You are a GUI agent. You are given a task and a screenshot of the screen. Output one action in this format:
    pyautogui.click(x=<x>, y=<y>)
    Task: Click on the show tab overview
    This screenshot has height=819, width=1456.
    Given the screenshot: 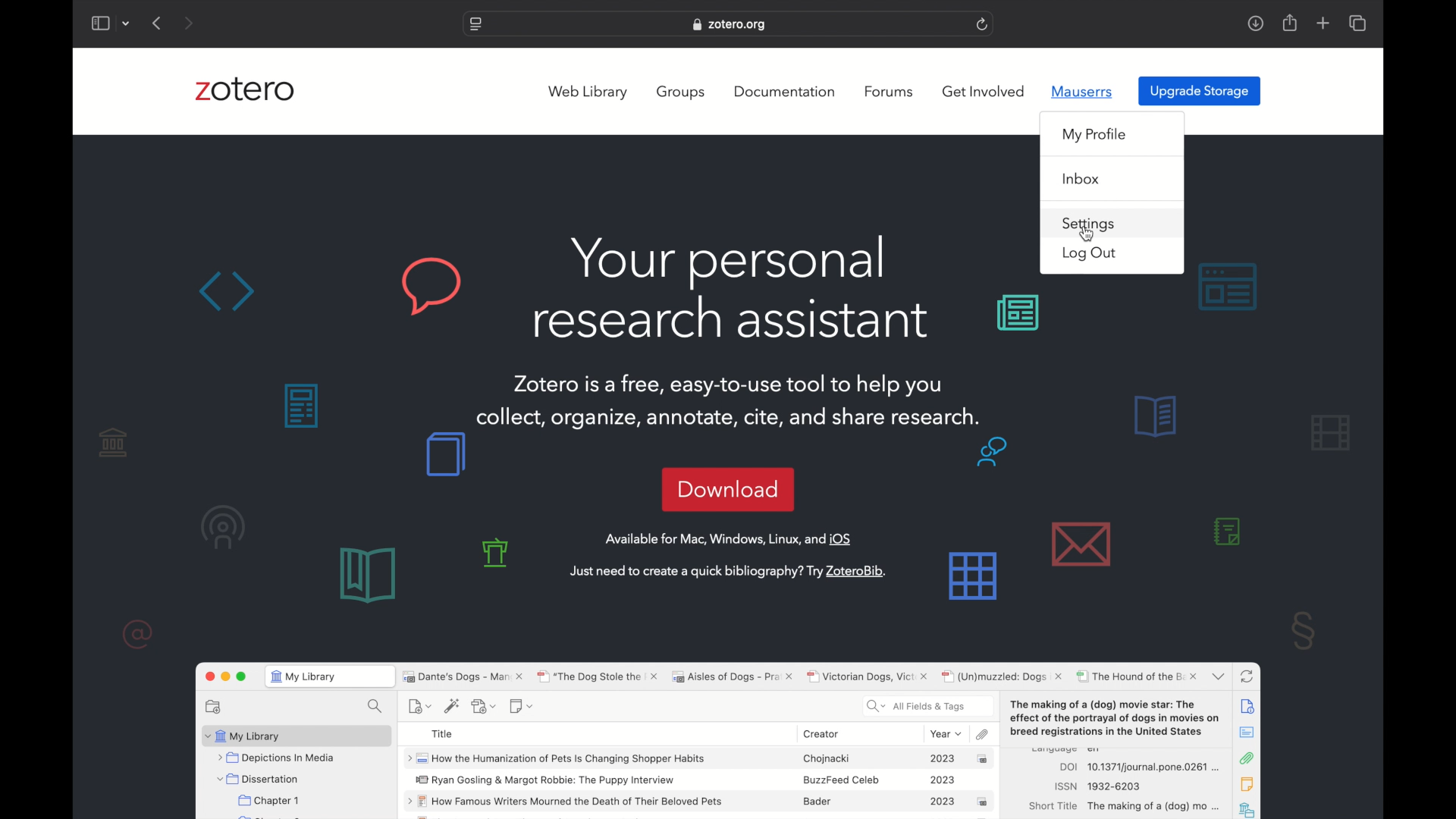 What is the action you would take?
    pyautogui.click(x=1359, y=23)
    